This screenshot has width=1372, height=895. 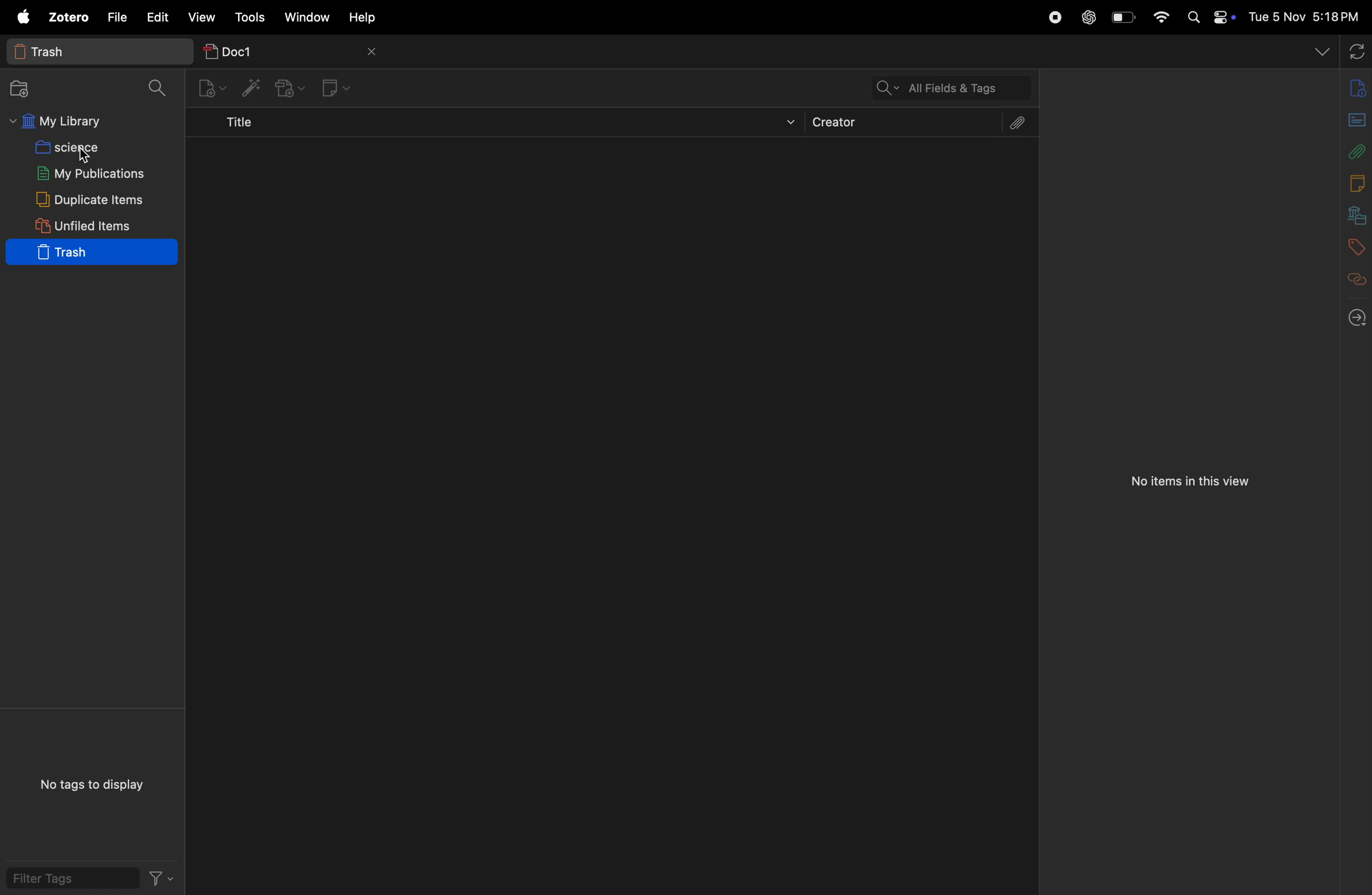 I want to click on search, so click(x=159, y=87).